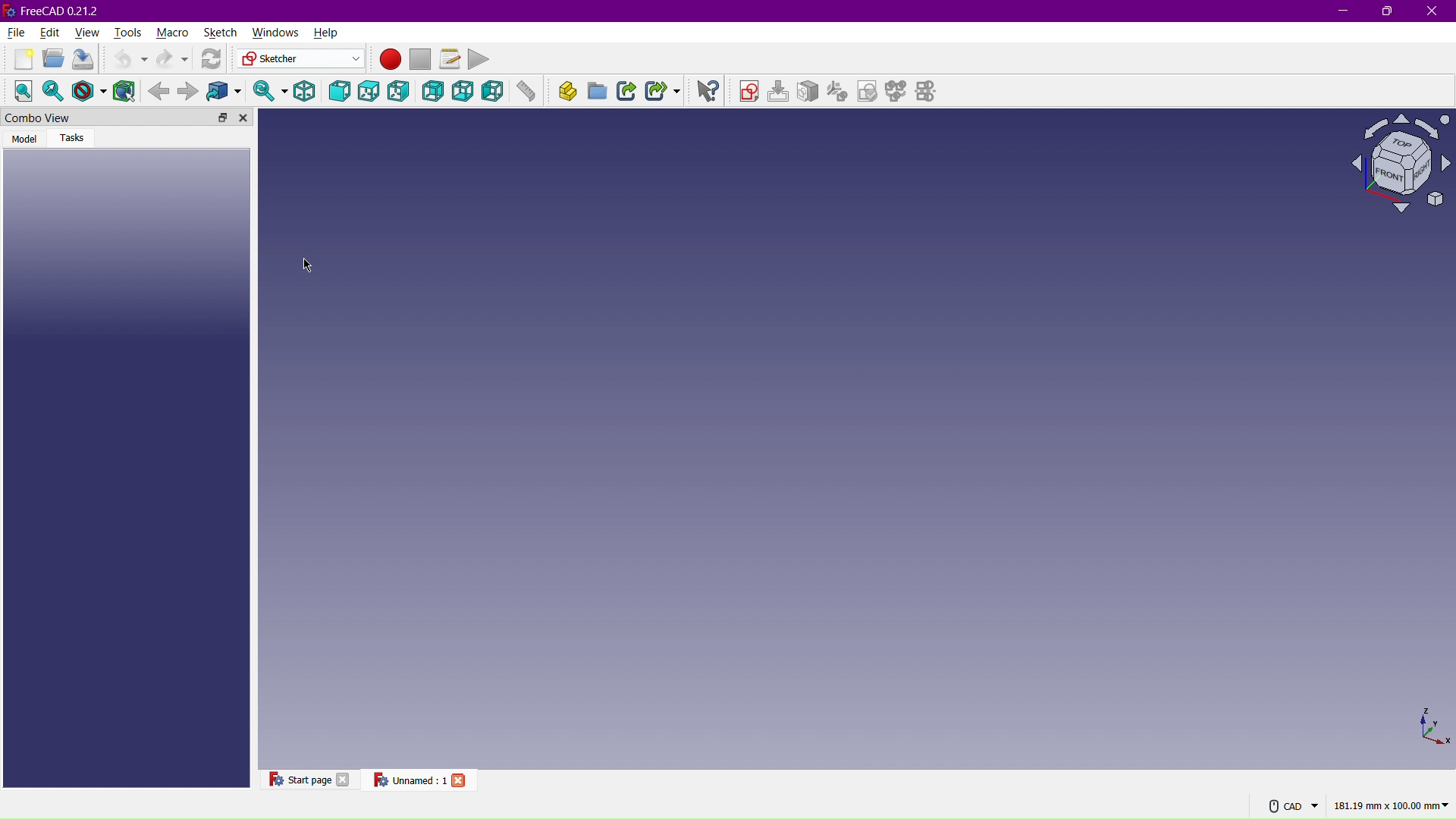 The height and width of the screenshot is (819, 1456). Describe the element at coordinates (1392, 806) in the screenshot. I see `181.19 mm x 100.00 mm` at that location.